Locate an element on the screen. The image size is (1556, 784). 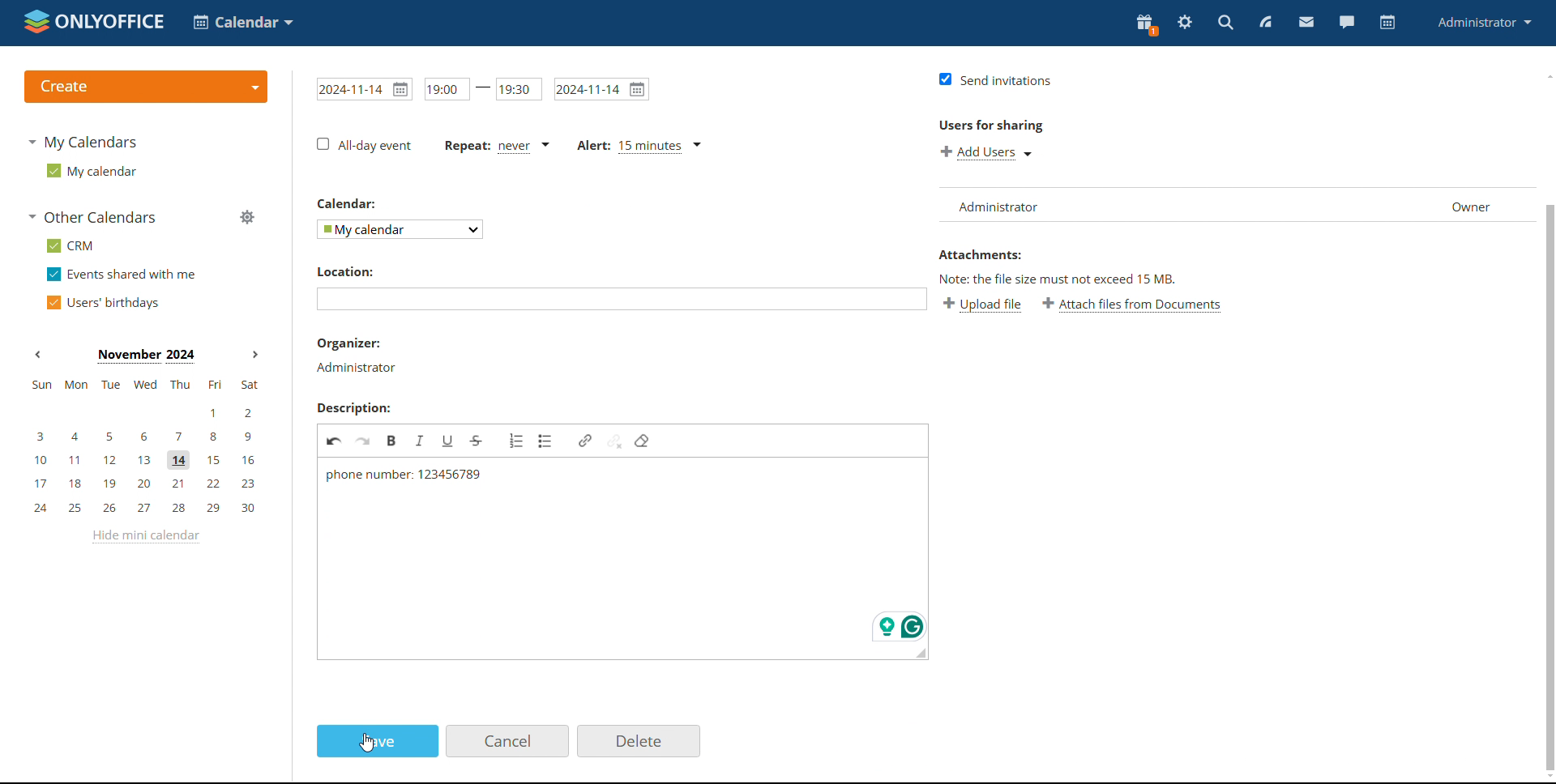
remove filter is located at coordinates (648, 441).